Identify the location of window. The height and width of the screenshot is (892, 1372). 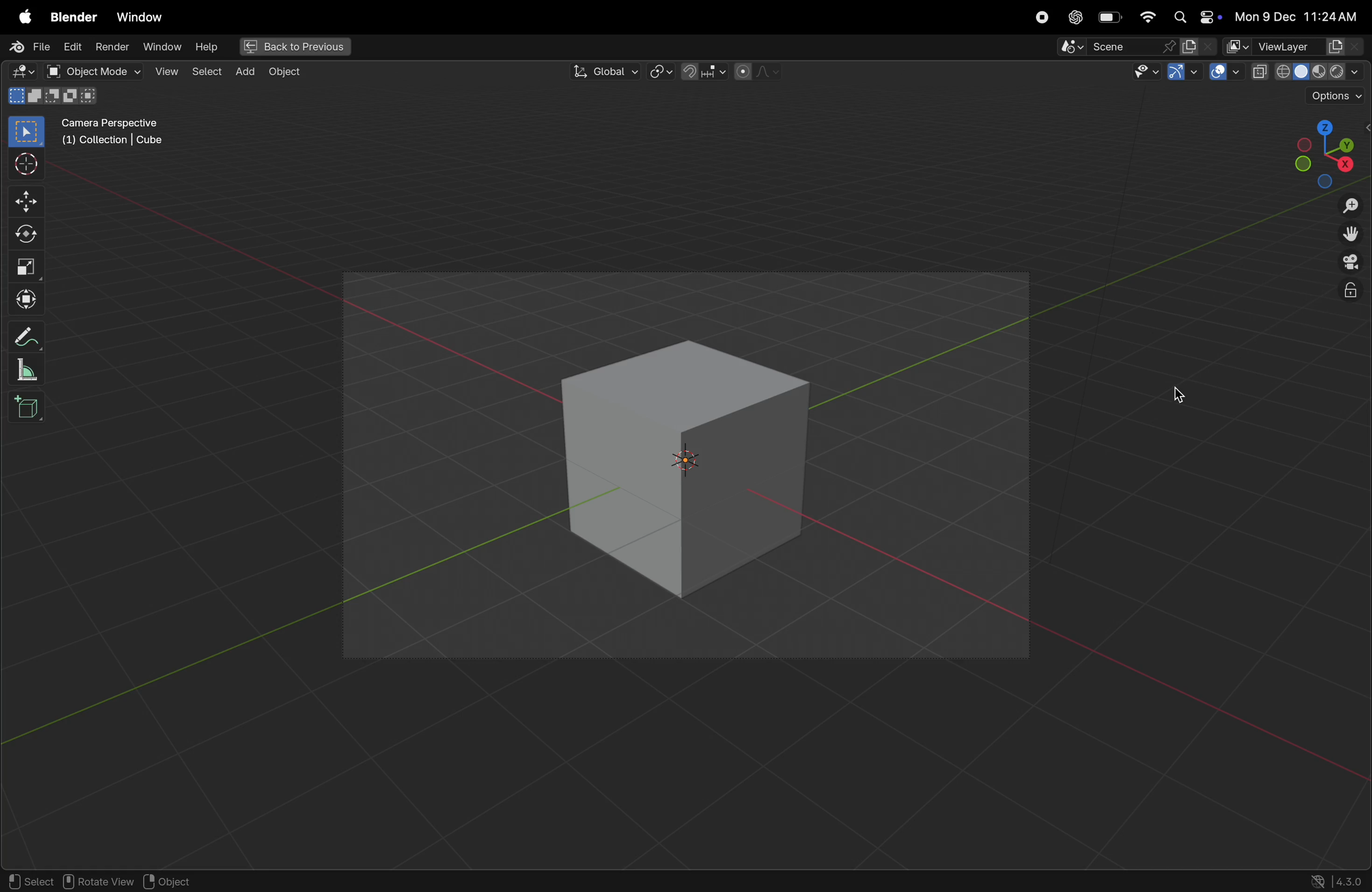
(163, 46).